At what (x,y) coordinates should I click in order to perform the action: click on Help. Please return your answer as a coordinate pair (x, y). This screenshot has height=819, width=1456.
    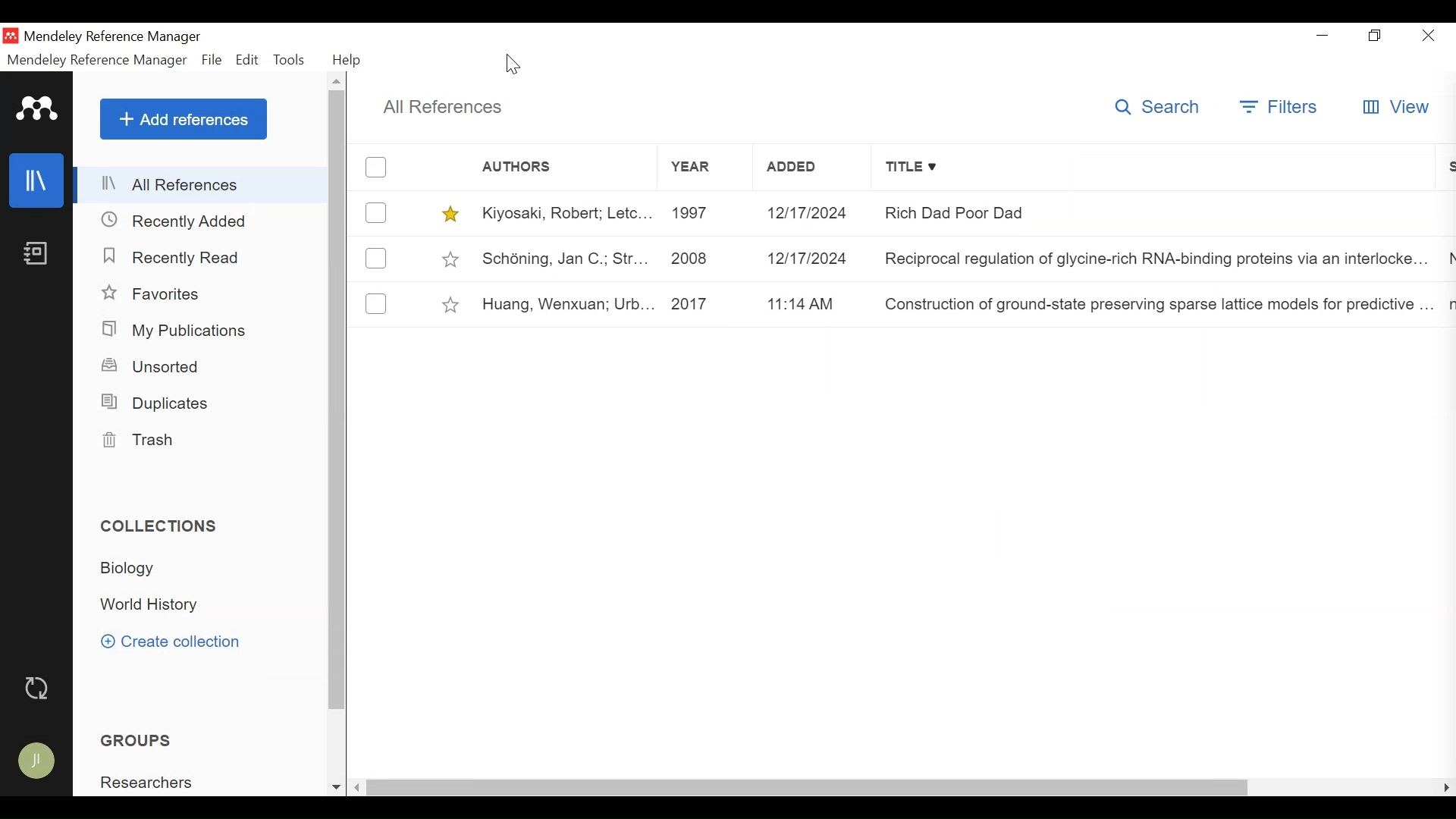
    Looking at the image, I should click on (347, 60).